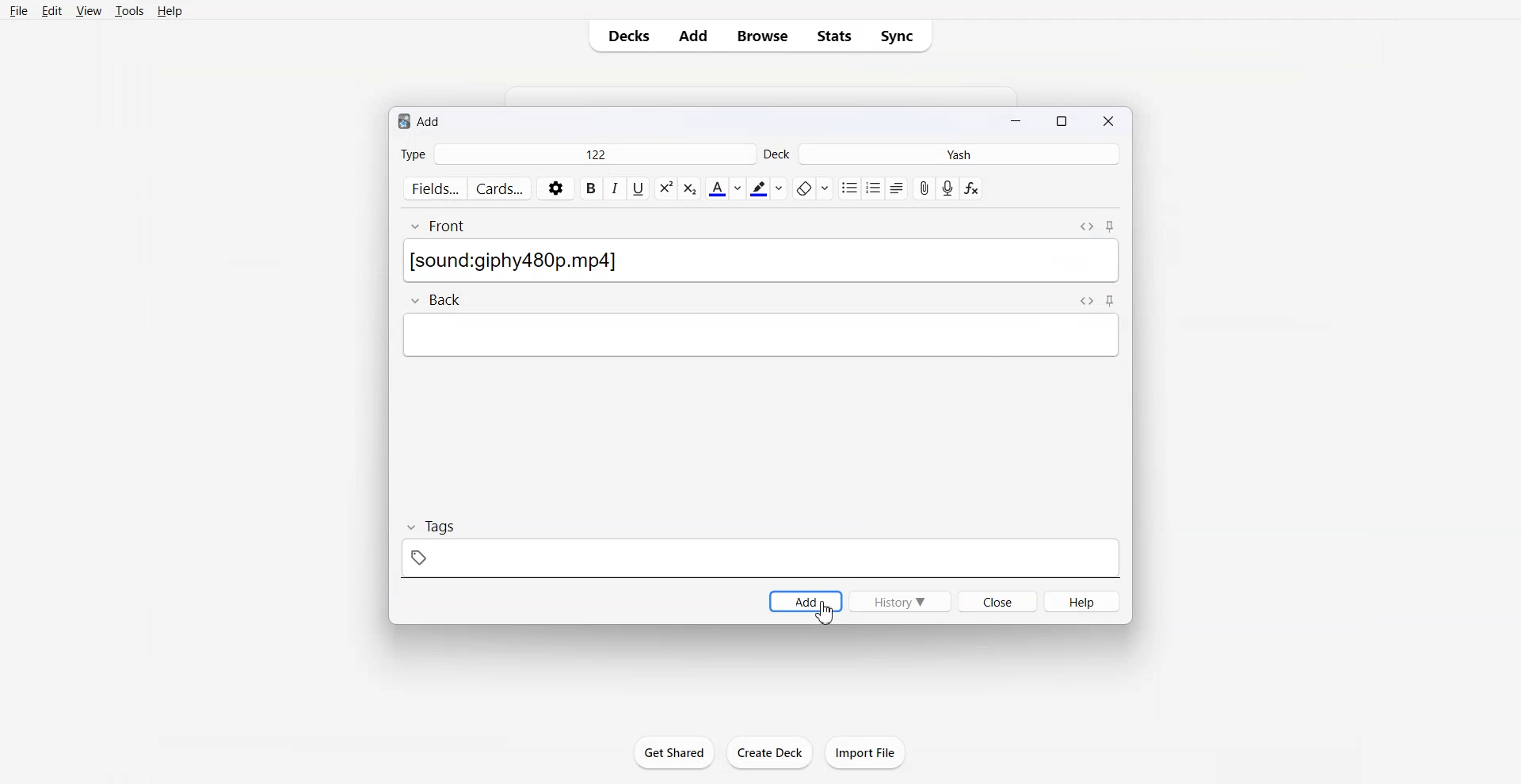 This screenshot has height=784, width=1521. Describe the element at coordinates (761, 335) in the screenshot. I see `` at that location.